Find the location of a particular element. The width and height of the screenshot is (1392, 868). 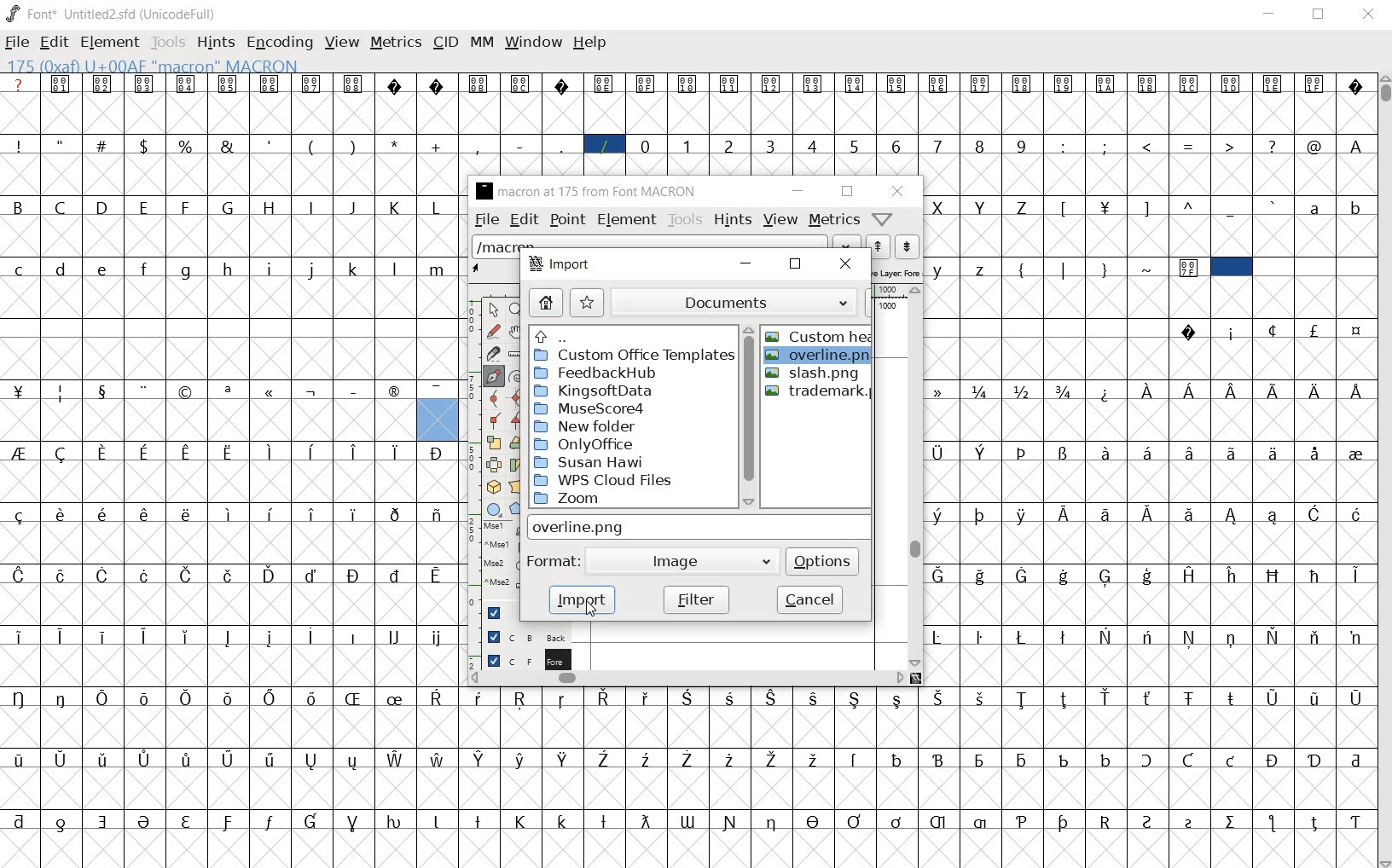

Symbol is located at coordinates (229, 820).